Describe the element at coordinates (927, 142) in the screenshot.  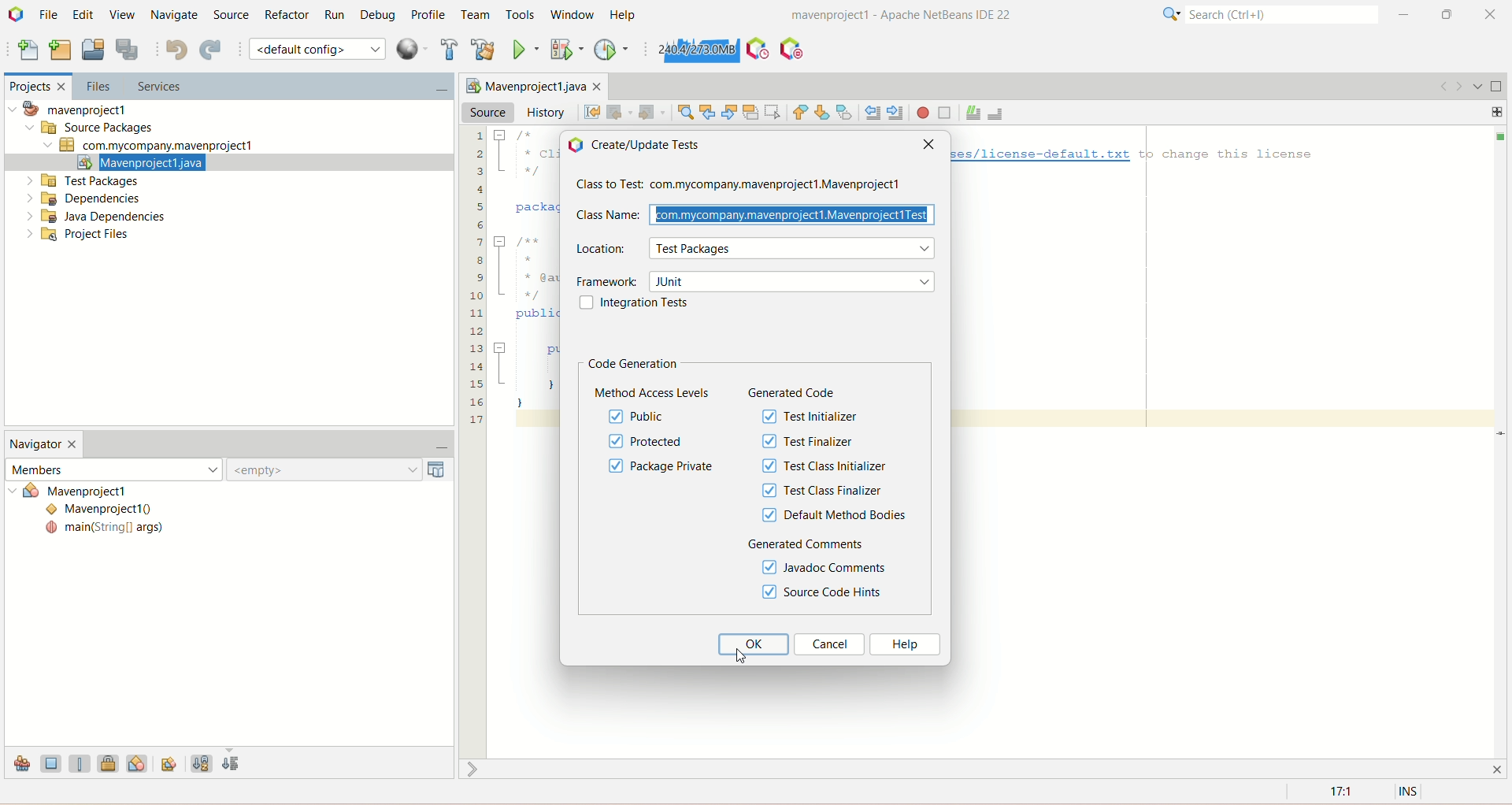
I see `close` at that location.